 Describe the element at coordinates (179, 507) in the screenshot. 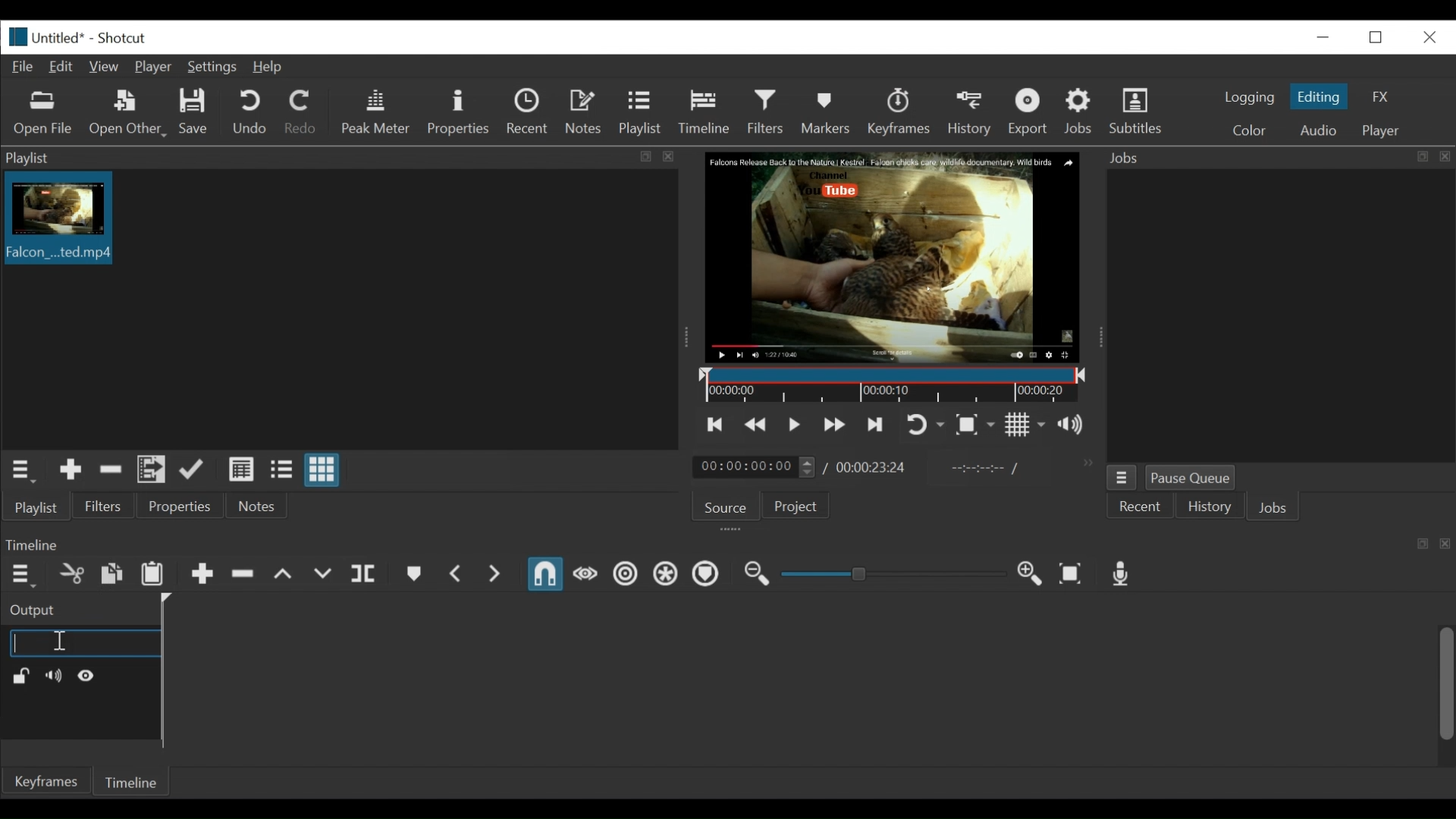

I see `Properties` at that location.